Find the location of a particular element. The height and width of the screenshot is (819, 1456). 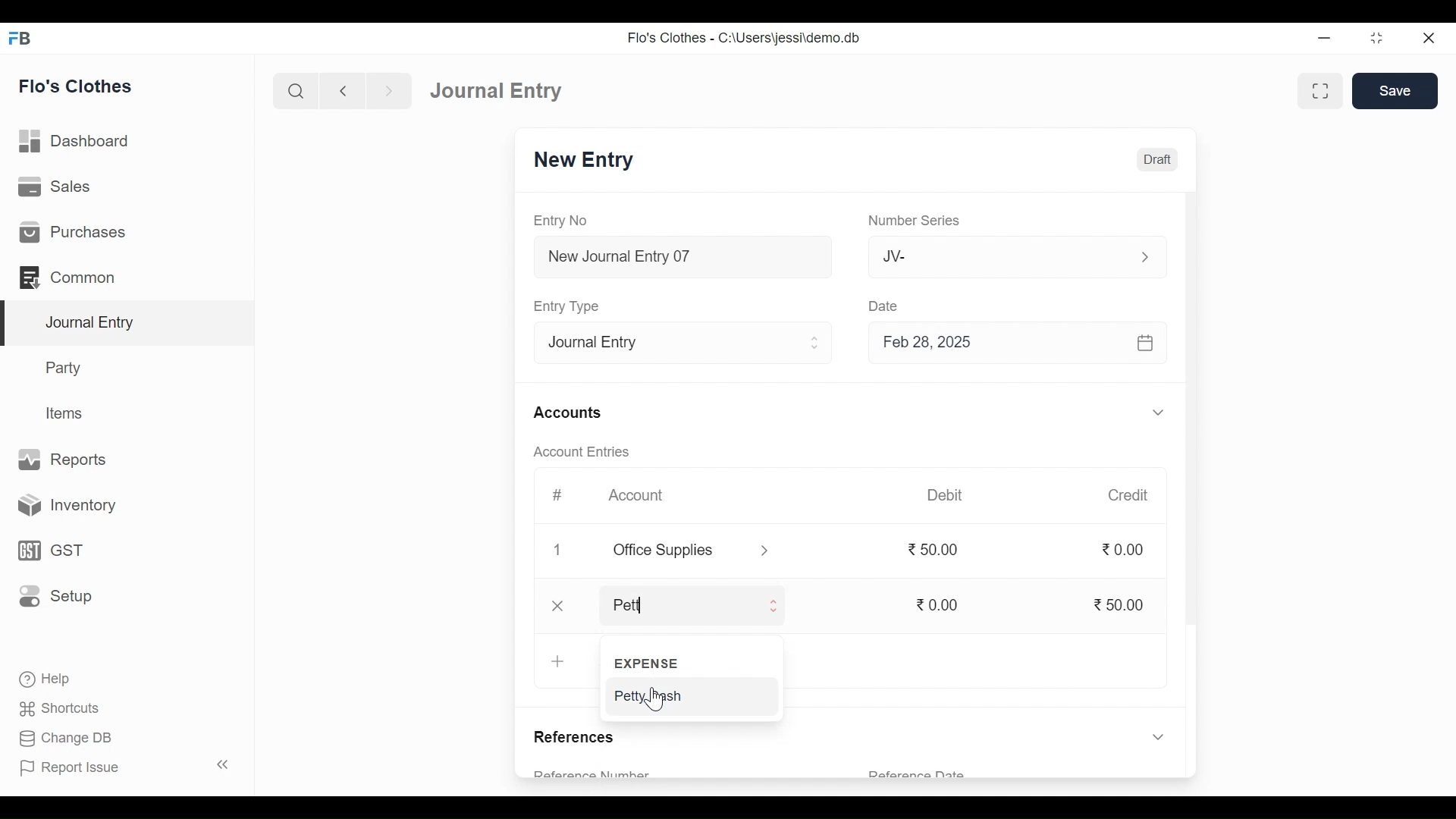

Common is located at coordinates (70, 277).